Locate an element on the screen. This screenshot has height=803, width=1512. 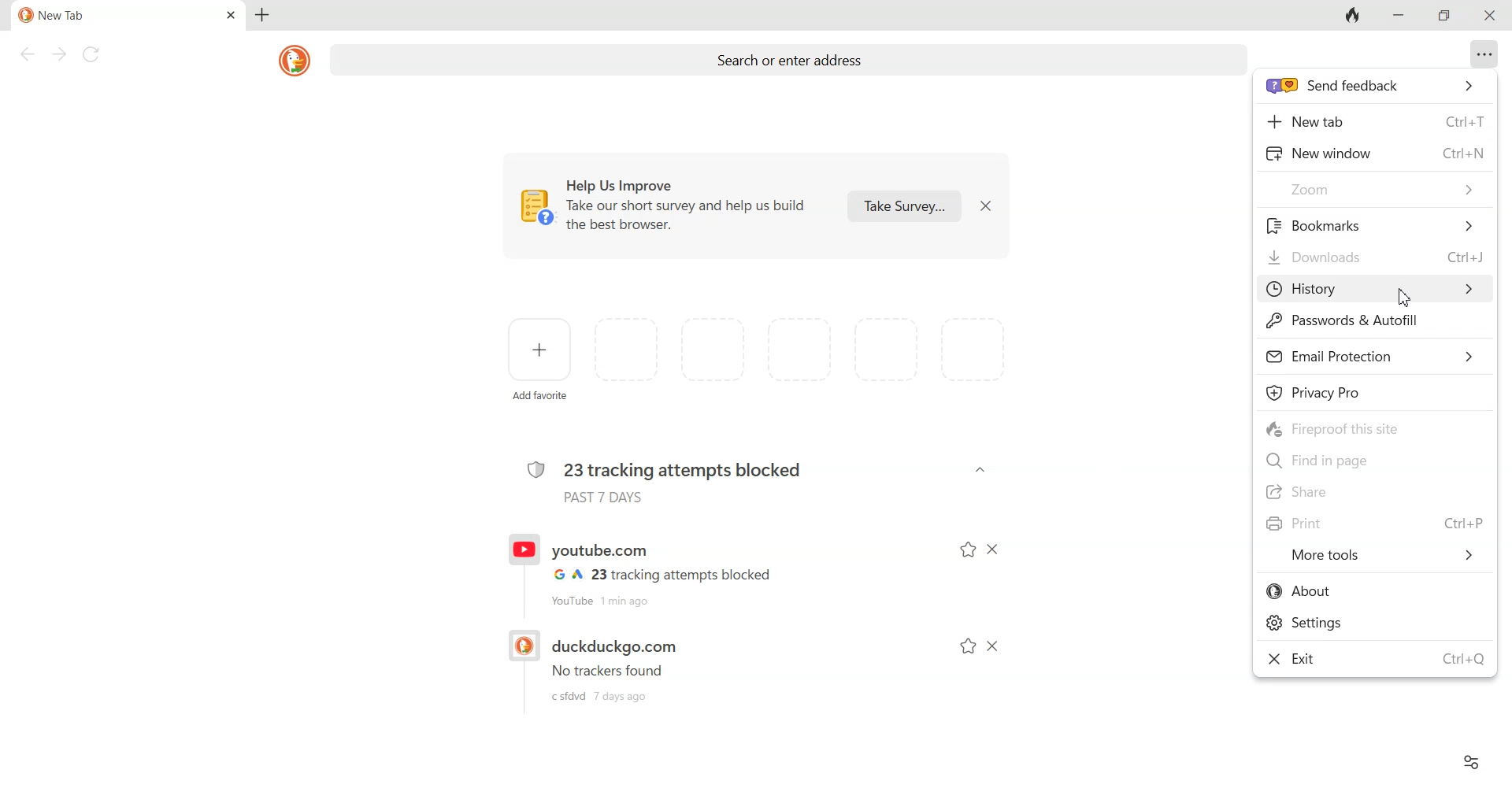
space for adding favorites is located at coordinates (802, 350).